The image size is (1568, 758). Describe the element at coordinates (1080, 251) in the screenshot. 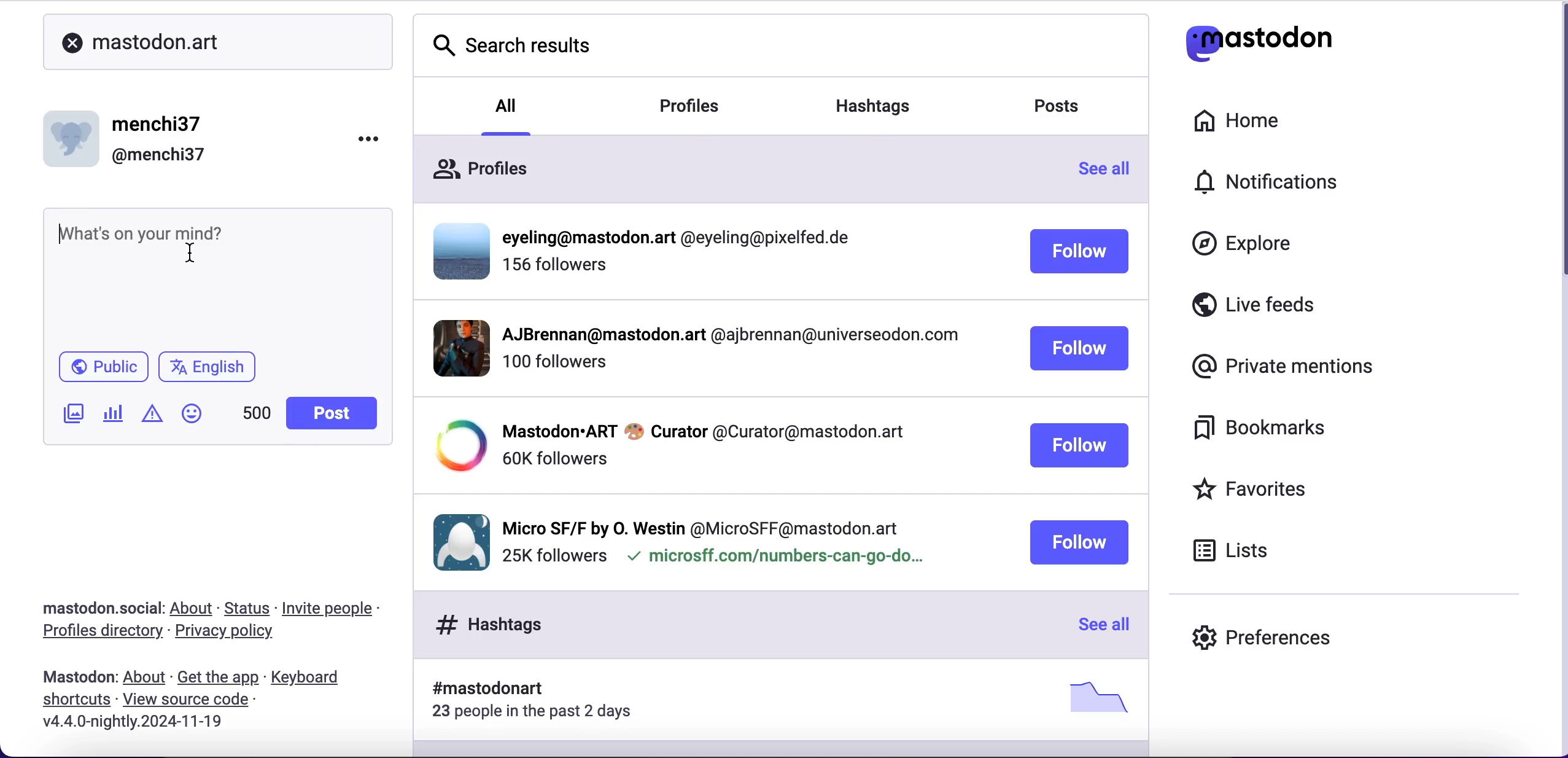

I see `follow` at that location.